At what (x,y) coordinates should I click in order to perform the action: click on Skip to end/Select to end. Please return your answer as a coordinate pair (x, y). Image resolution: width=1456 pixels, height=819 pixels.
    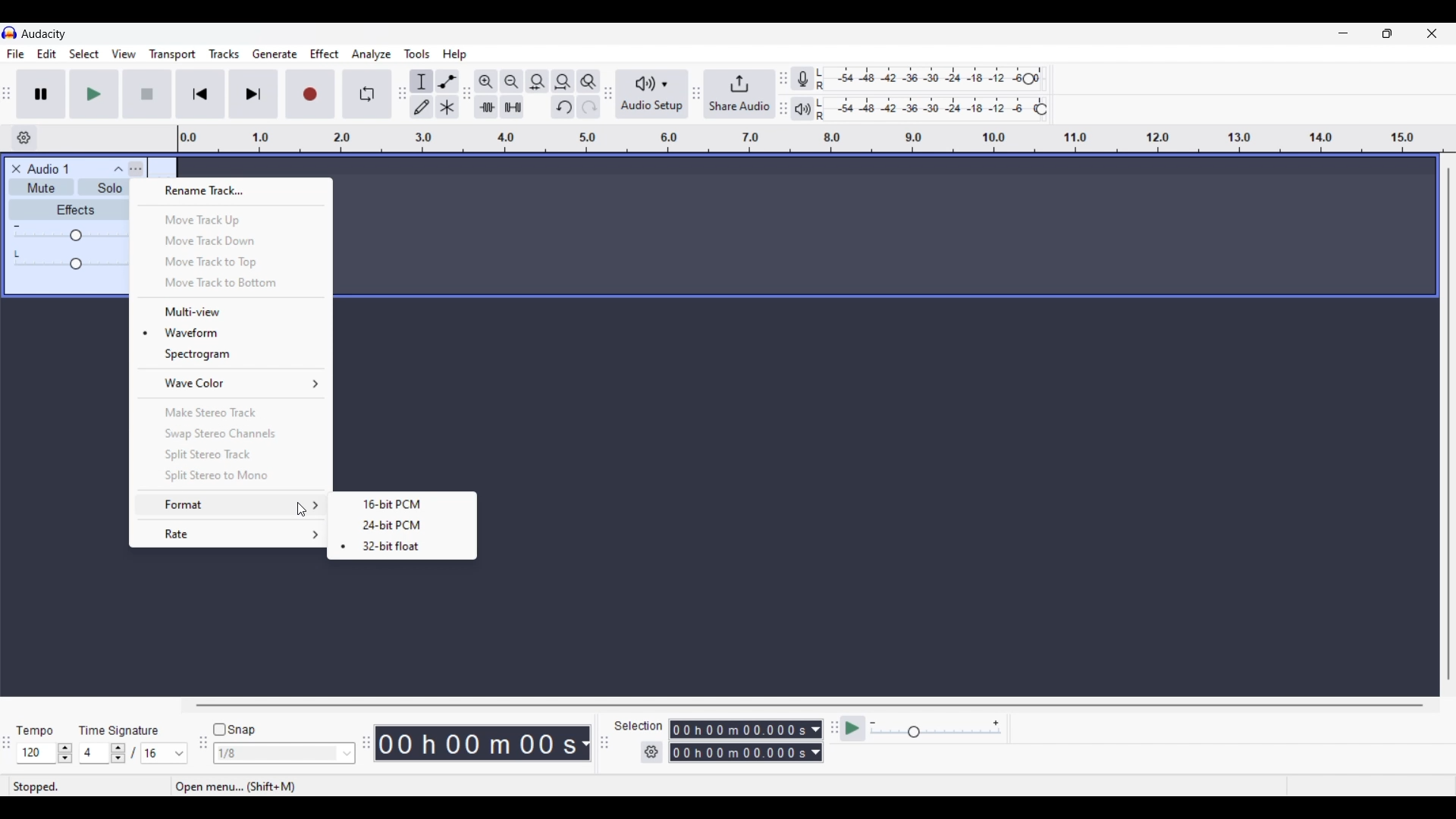
    Looking at the image, I should click on (253, 94).